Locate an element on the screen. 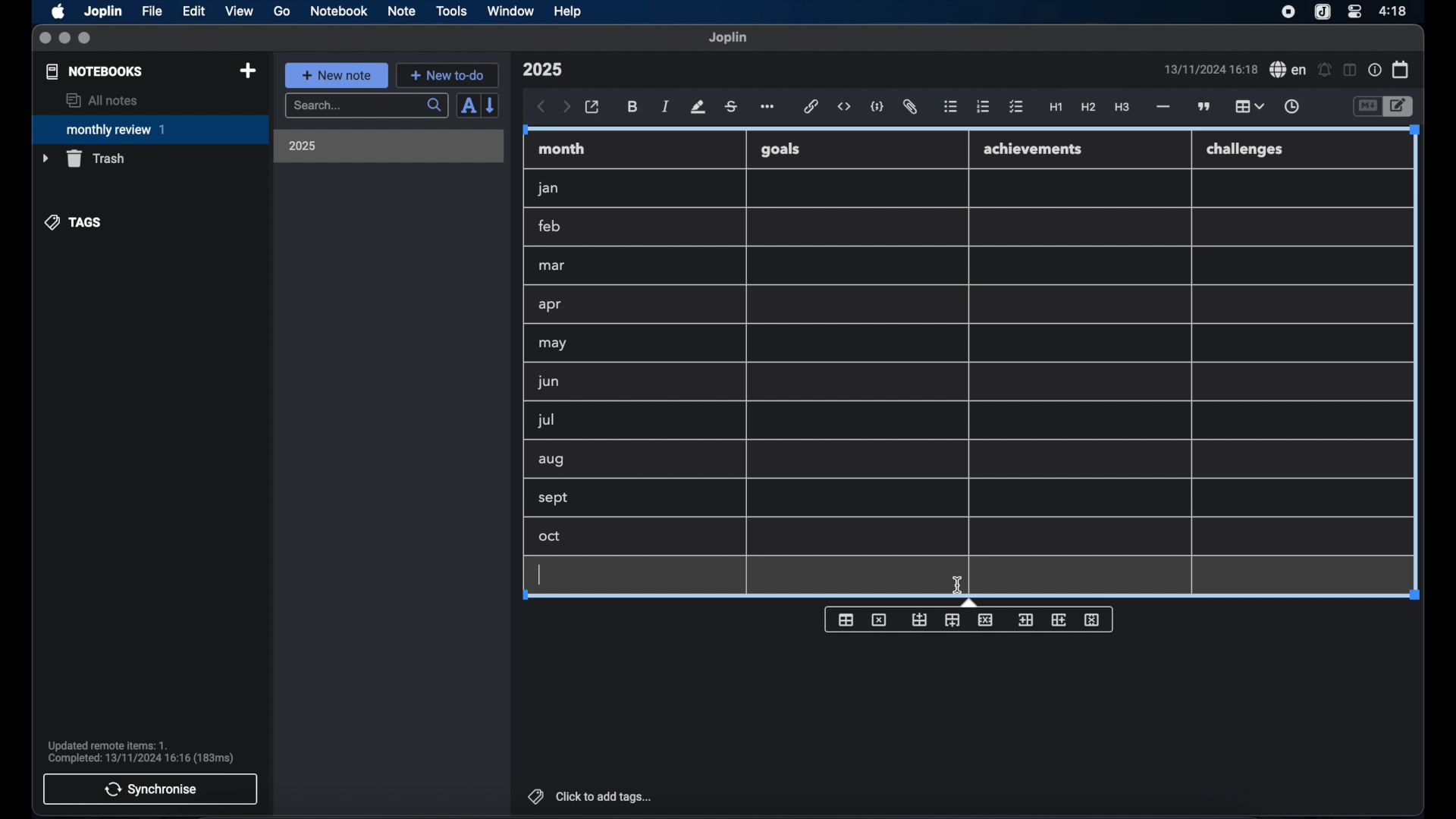  jun is located at coordinates (547, 381).